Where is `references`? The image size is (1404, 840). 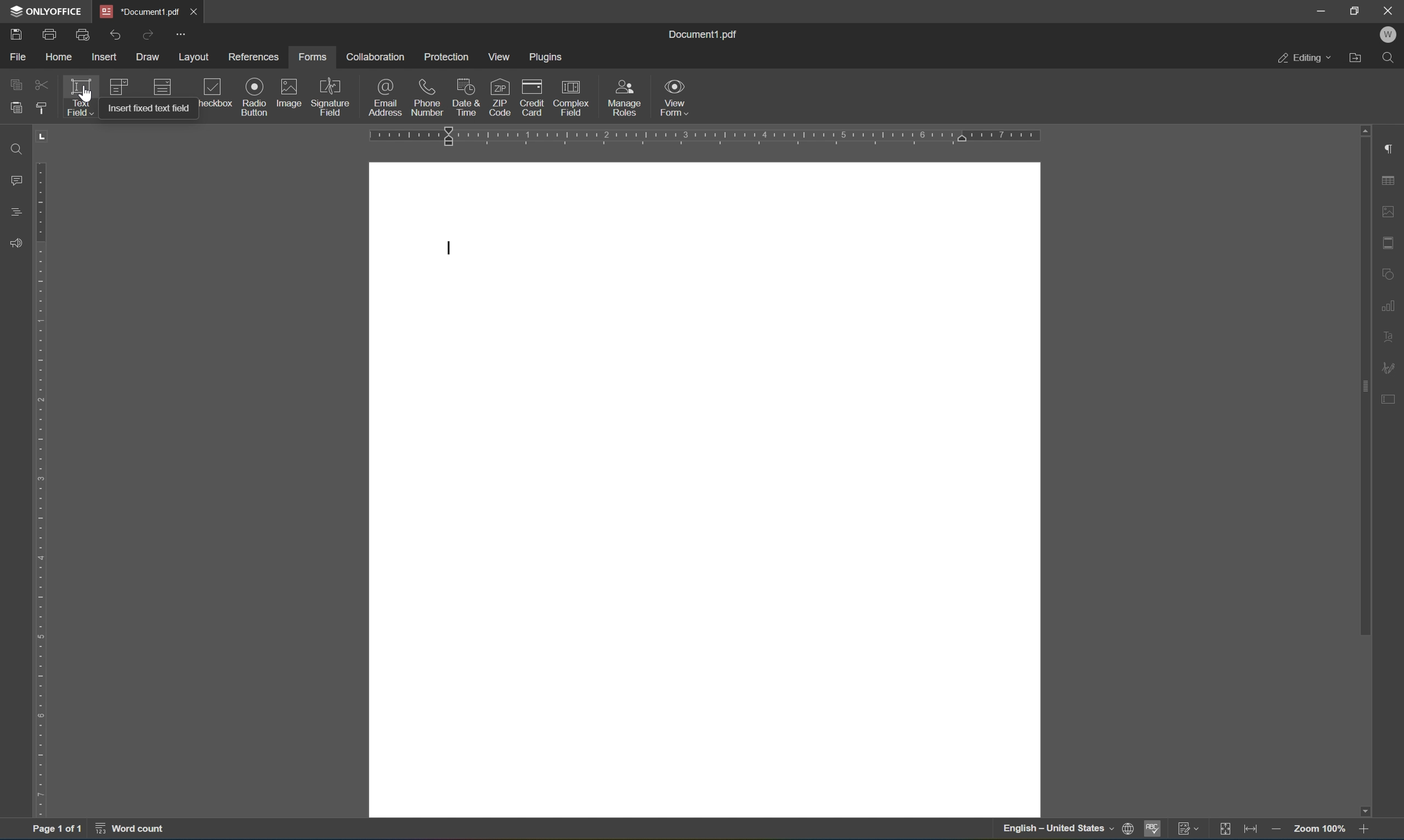 references is located at coordinates (256, 57).